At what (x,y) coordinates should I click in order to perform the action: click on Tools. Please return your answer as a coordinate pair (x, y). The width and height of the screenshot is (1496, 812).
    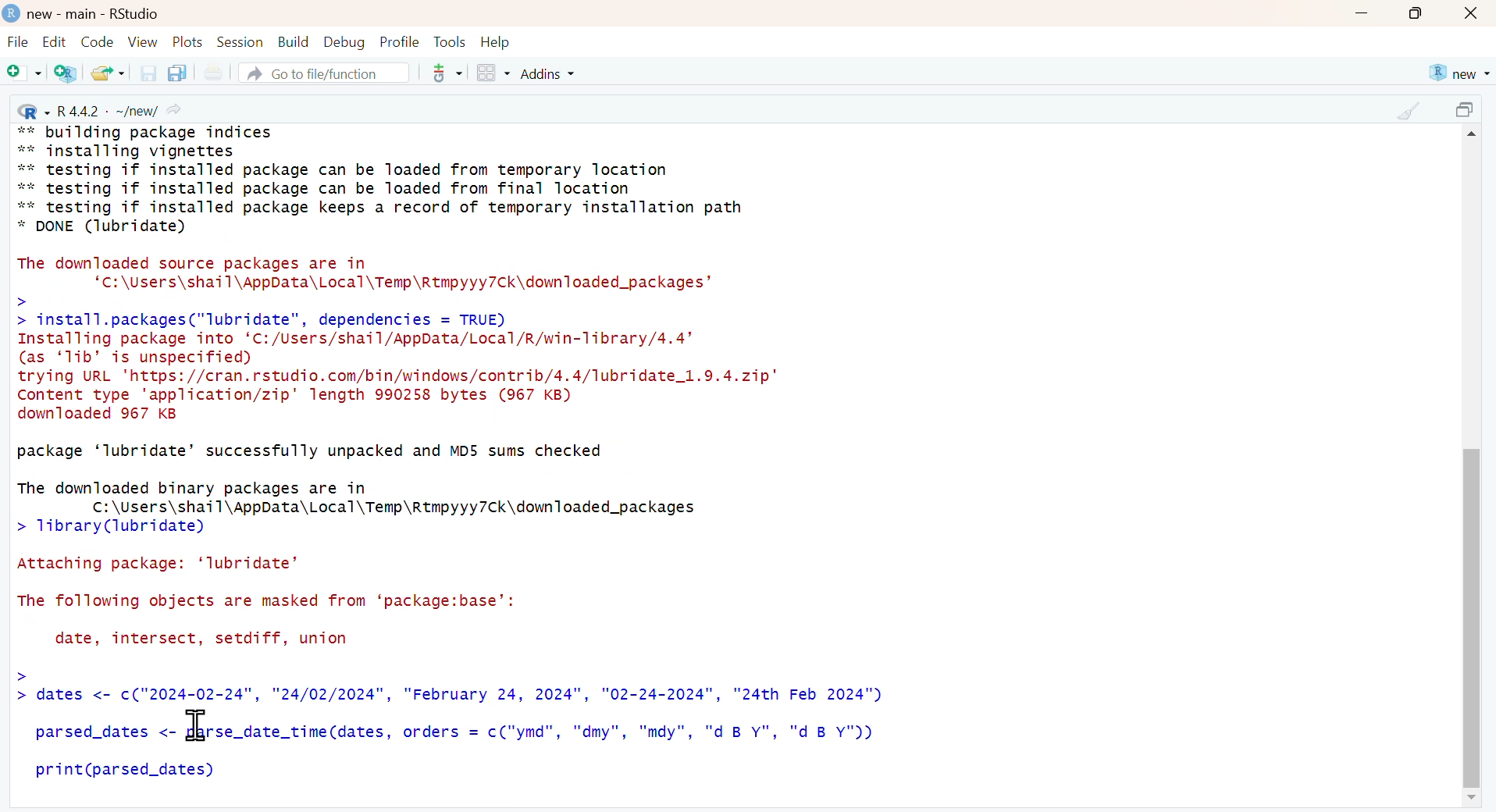
    Looking at the image, I should click on (450, 41).